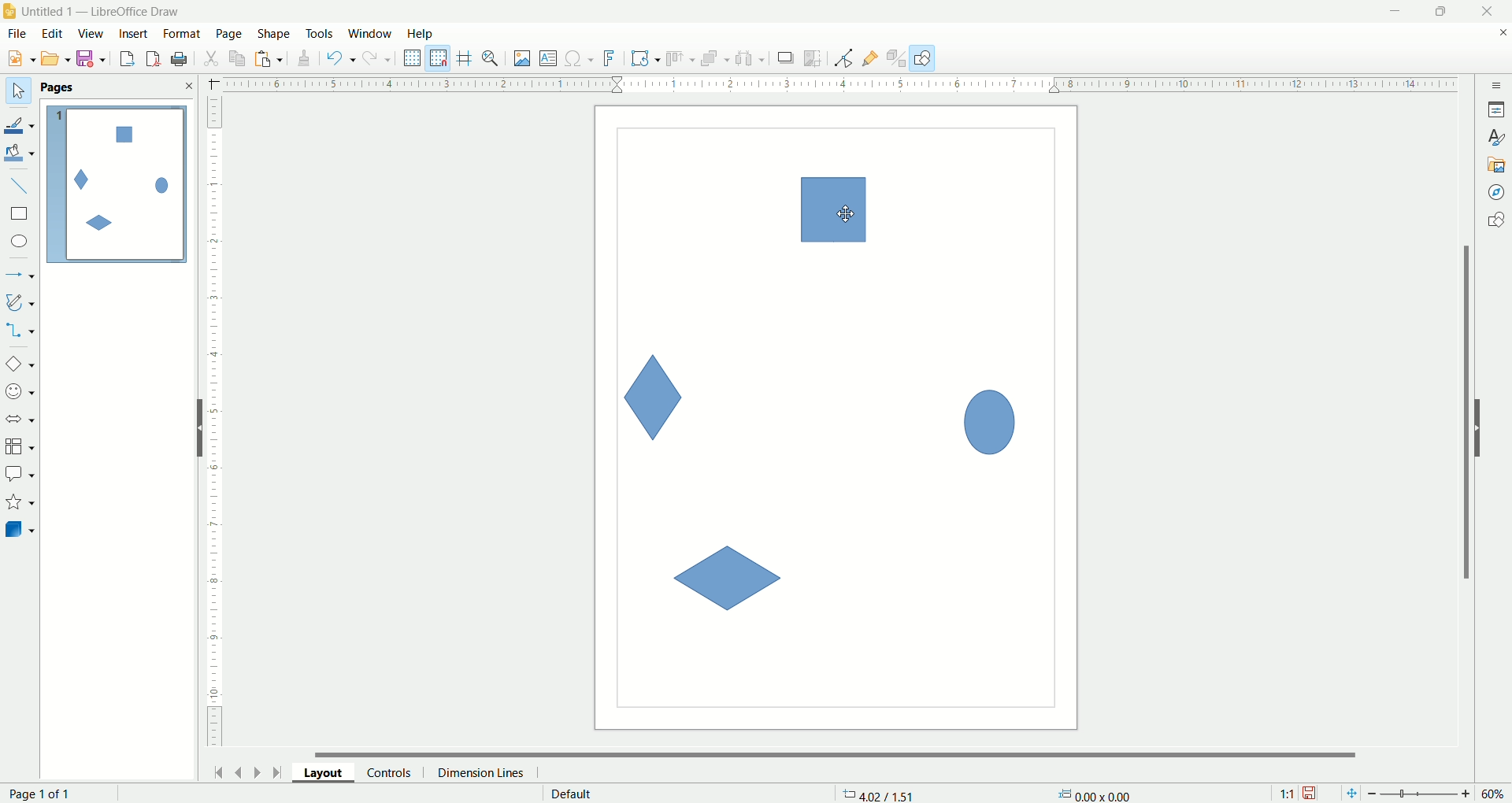  What do you see at coordinates (51, 794) in the screenshot?
I see `page number` at bounding box center [51, 794].